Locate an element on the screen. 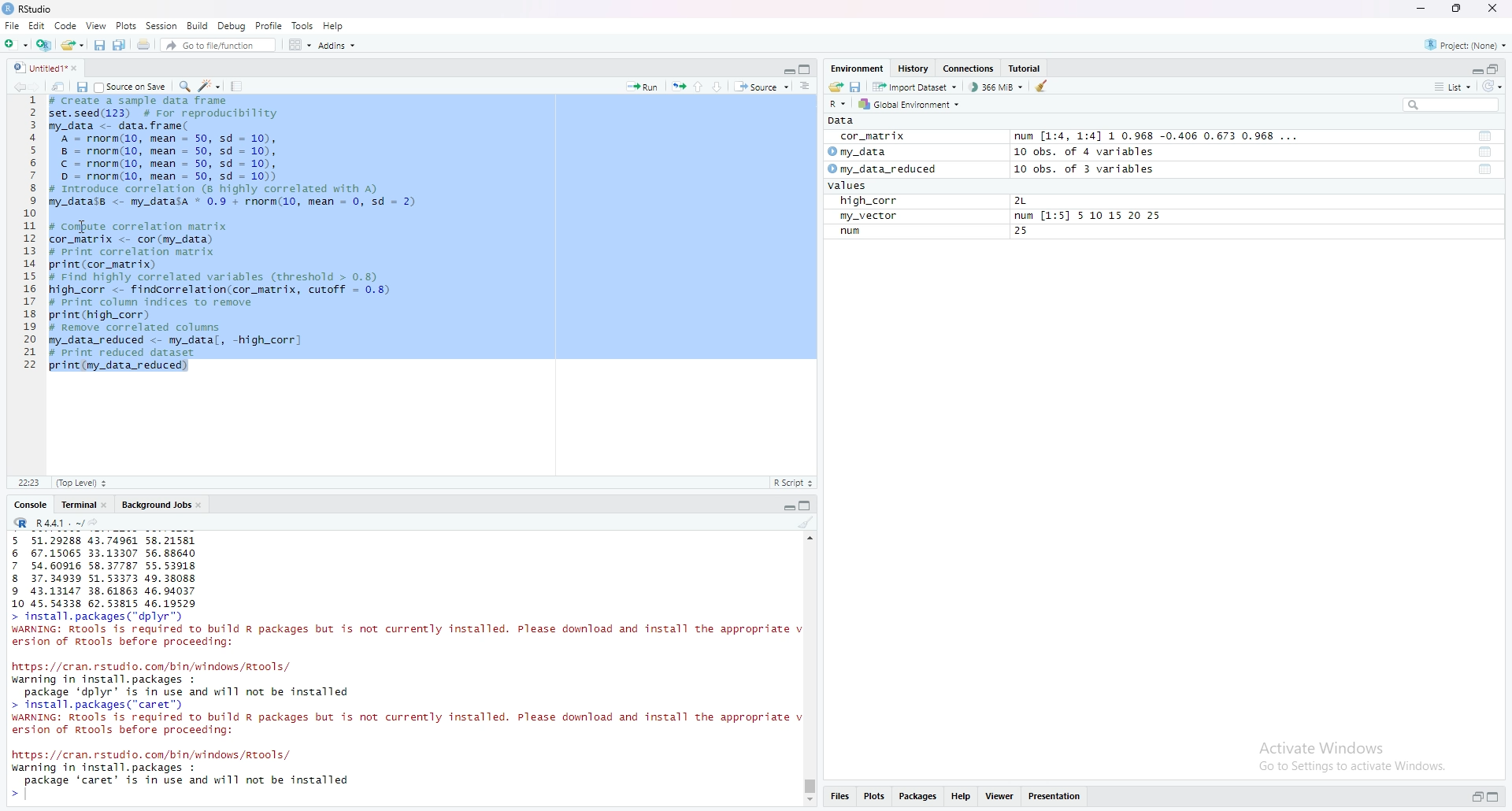 The height and width of the screenshot is (811, 1512). cor_matrix num [1:4, 1:4] 1 0.968 -0.406 0.673 0.968 ... is located at coordinates (1074, 136).